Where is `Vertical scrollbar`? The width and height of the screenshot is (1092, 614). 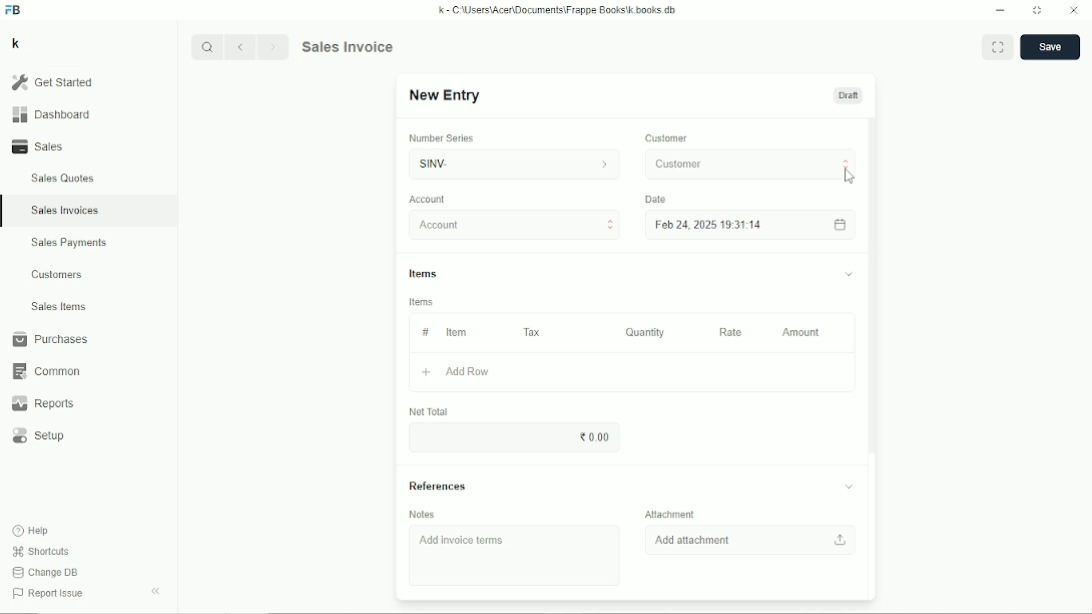
Vertical scrollbar is located at coordinates (874, 283).